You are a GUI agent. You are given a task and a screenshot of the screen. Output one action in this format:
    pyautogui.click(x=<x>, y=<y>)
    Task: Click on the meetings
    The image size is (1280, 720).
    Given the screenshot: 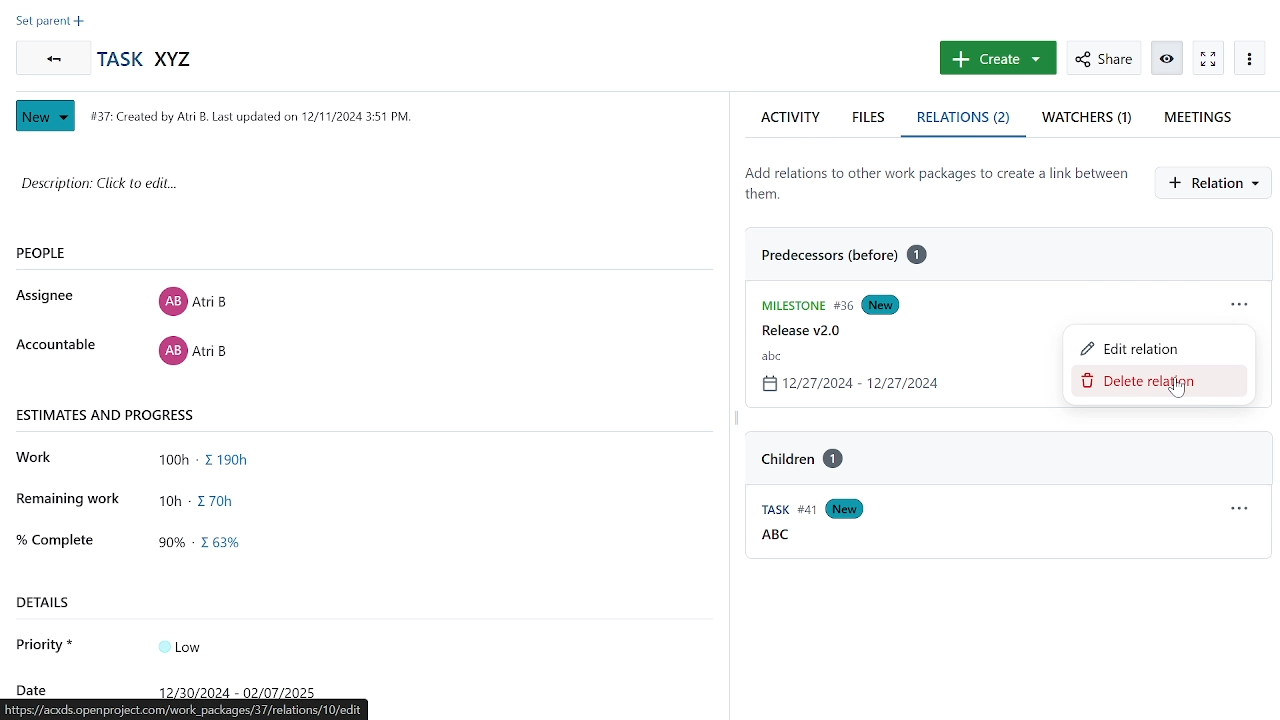 What is the action you would take?
    pyautogui.click(x=1203, y=117)
    